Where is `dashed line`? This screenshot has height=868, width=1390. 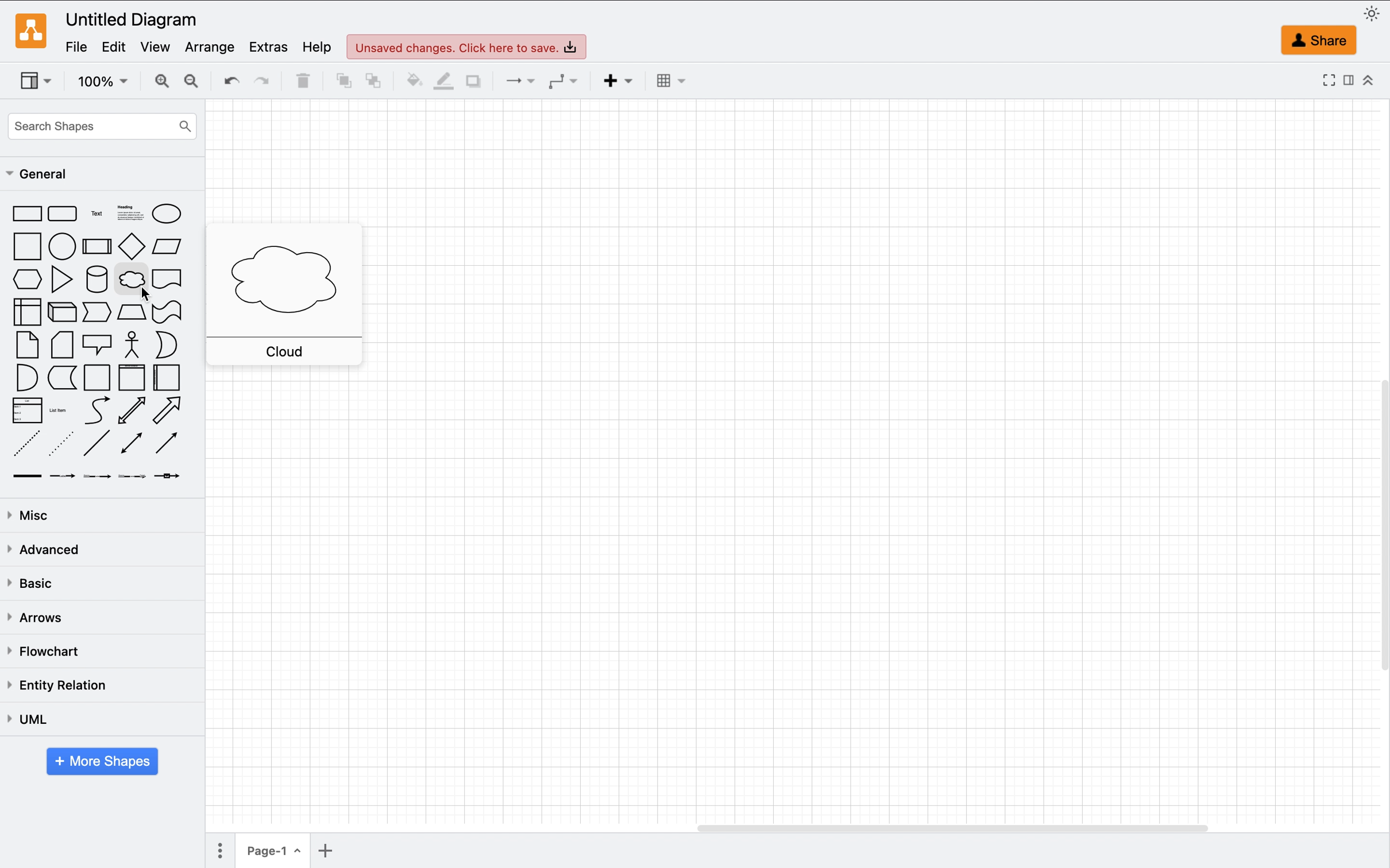
dashed line is located at coordinates (28, 442).